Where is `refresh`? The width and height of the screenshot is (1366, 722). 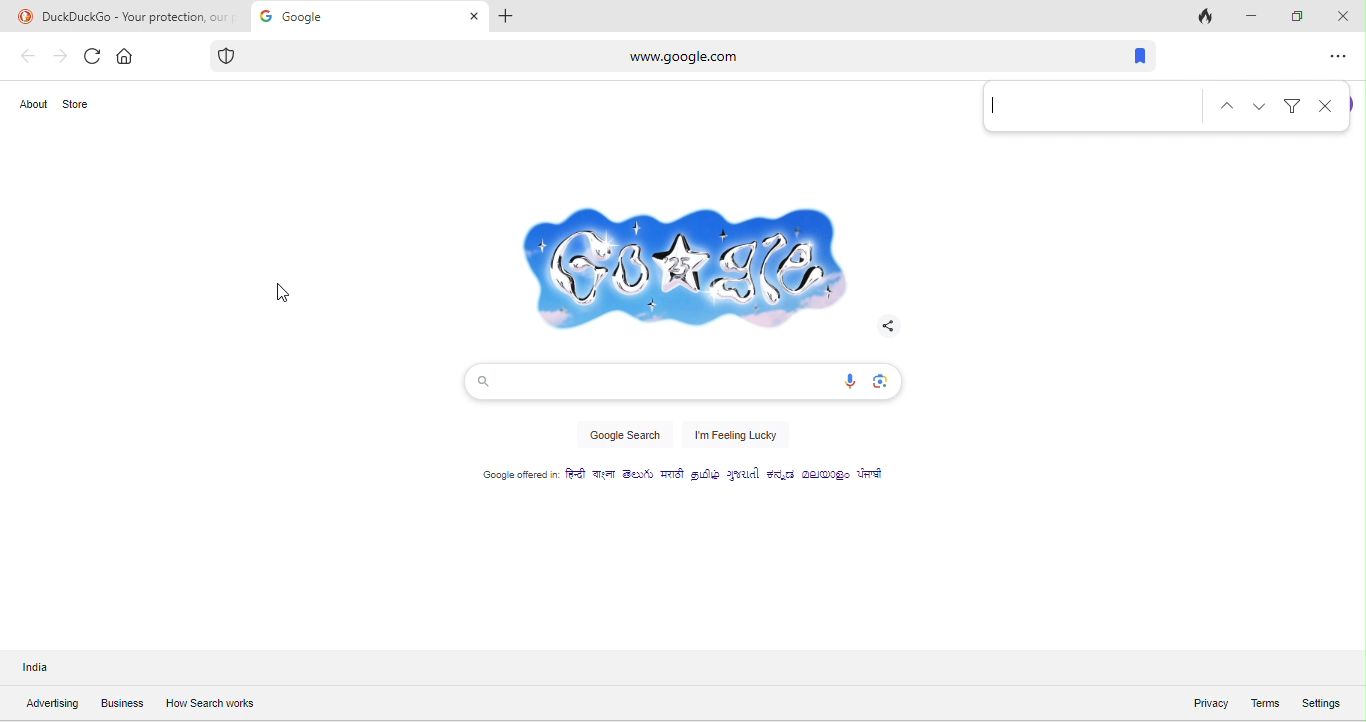
refresh is located at coordinates (92, 57).